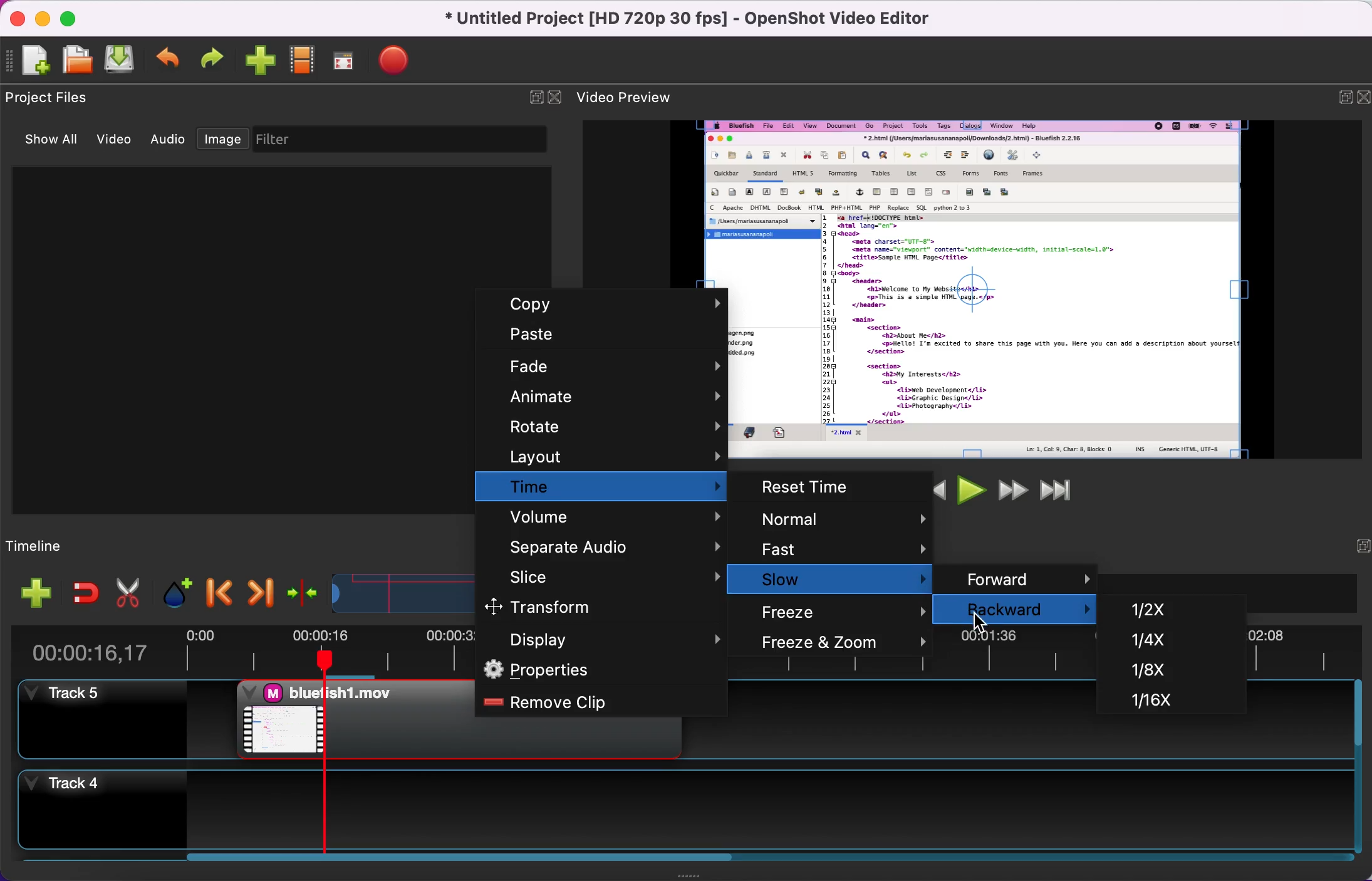 Image resolution: width=1372 pixels, height=881 pixels. I want to click on cut, so click(128, 590).